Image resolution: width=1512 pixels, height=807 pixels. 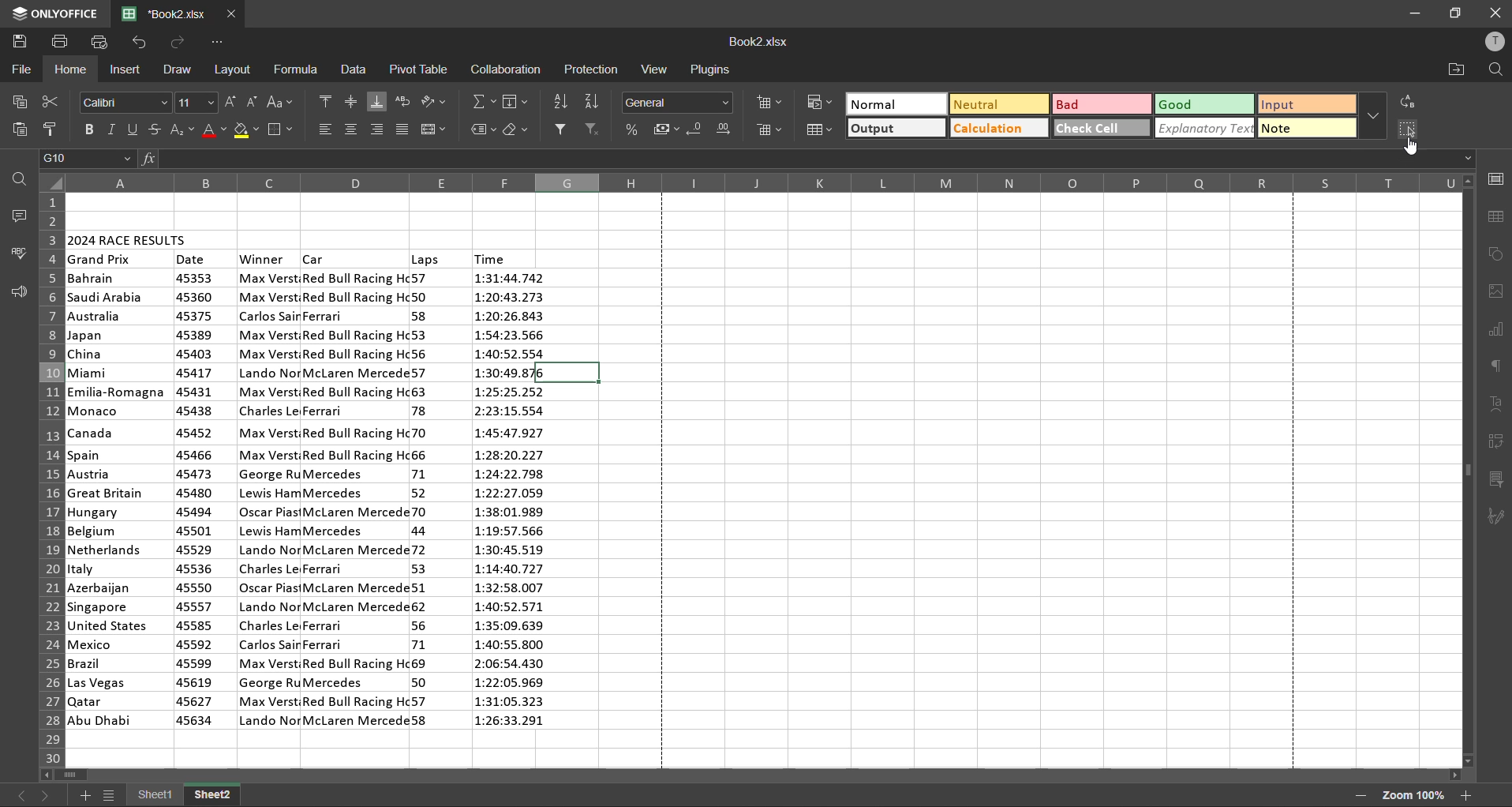 What do you see at coordinates (896, 129) in the screenshot?
I see `output` at bounding box center [896, 129].